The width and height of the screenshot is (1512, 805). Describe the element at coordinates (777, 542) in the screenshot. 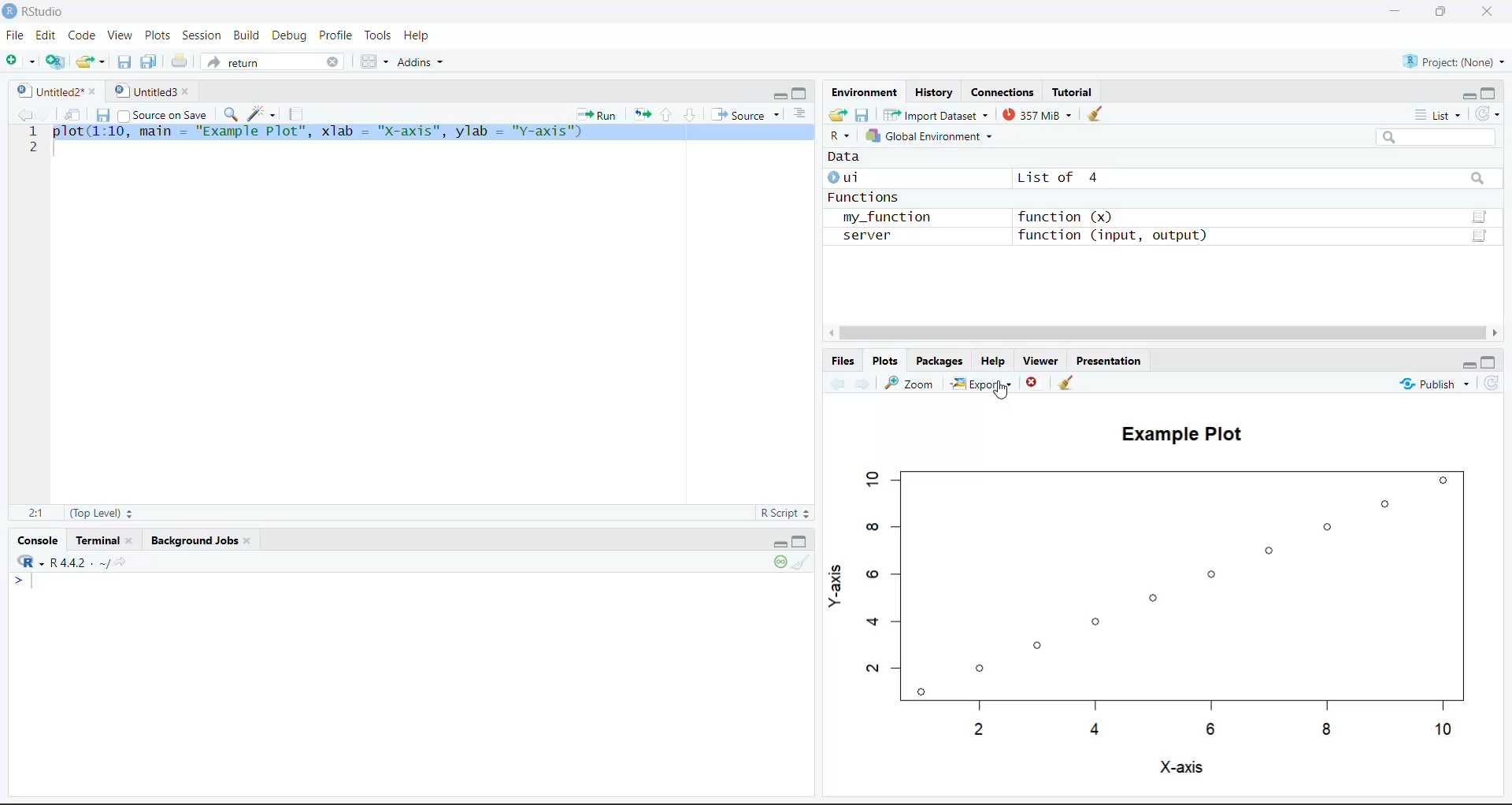

I see `Minimize` at that location.